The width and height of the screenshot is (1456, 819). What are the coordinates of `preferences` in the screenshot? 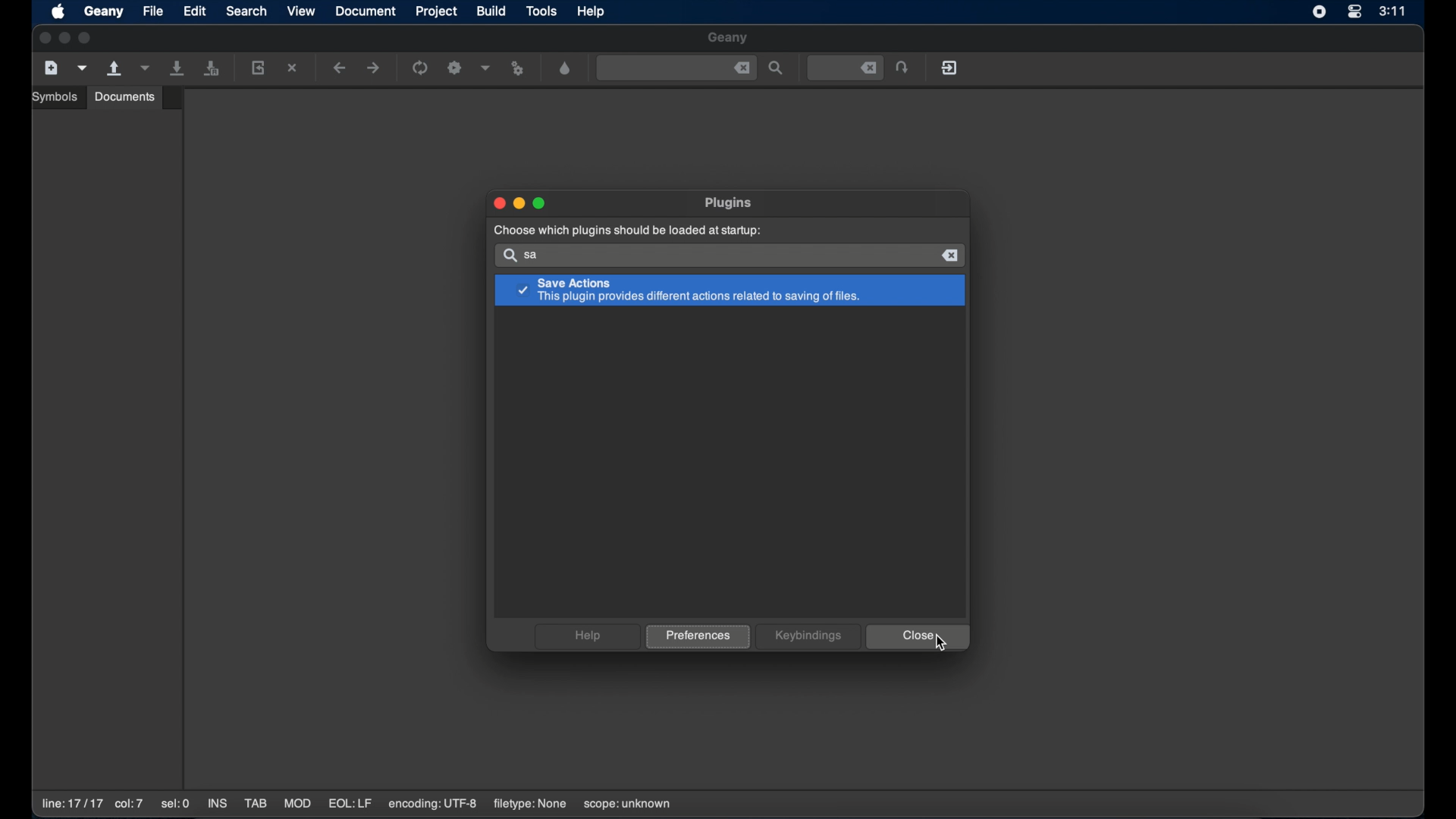 It's located at (698, 637).